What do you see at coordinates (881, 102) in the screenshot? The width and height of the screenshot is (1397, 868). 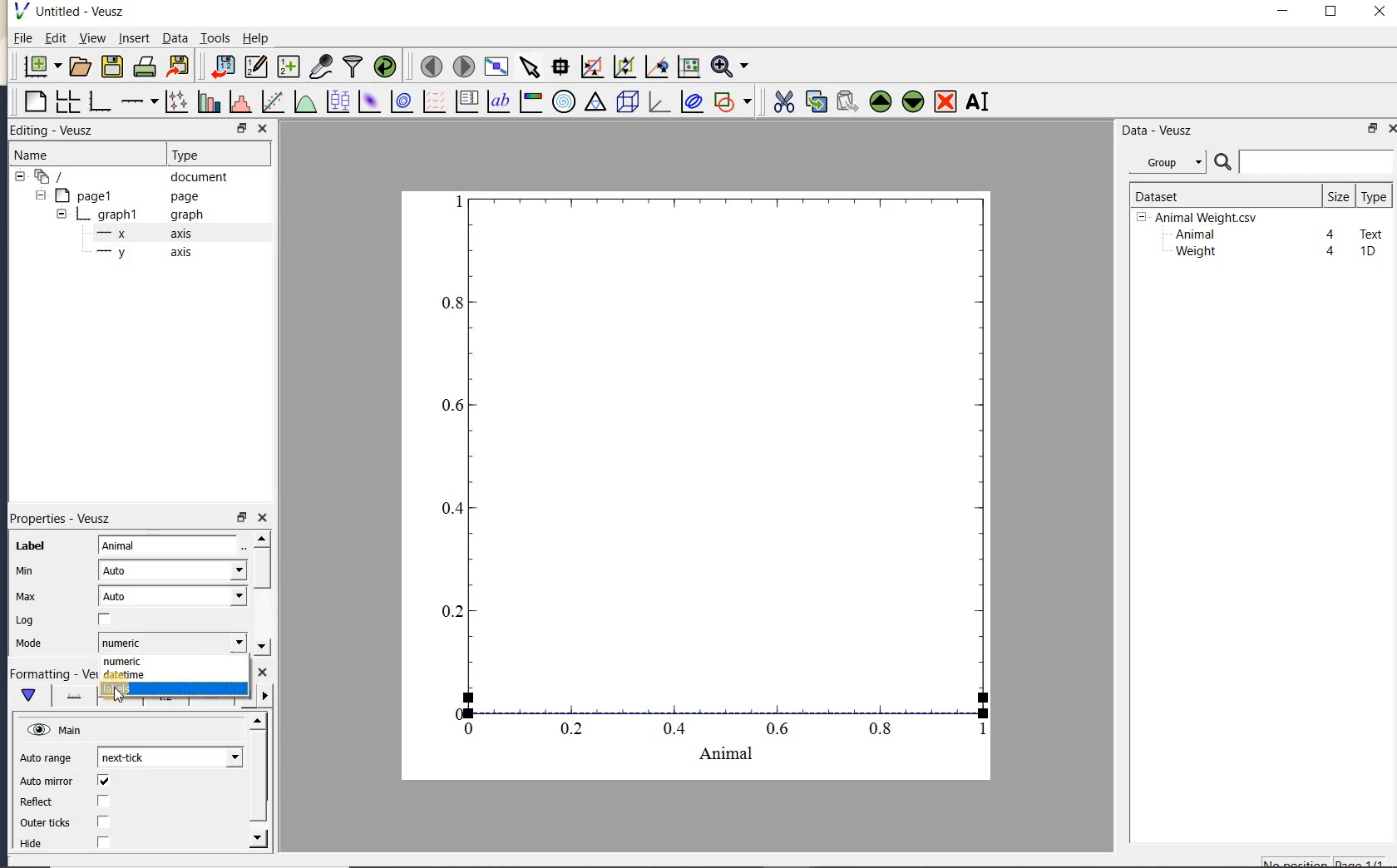 I see `move the selected widget up` at bounding box center [881, 102].